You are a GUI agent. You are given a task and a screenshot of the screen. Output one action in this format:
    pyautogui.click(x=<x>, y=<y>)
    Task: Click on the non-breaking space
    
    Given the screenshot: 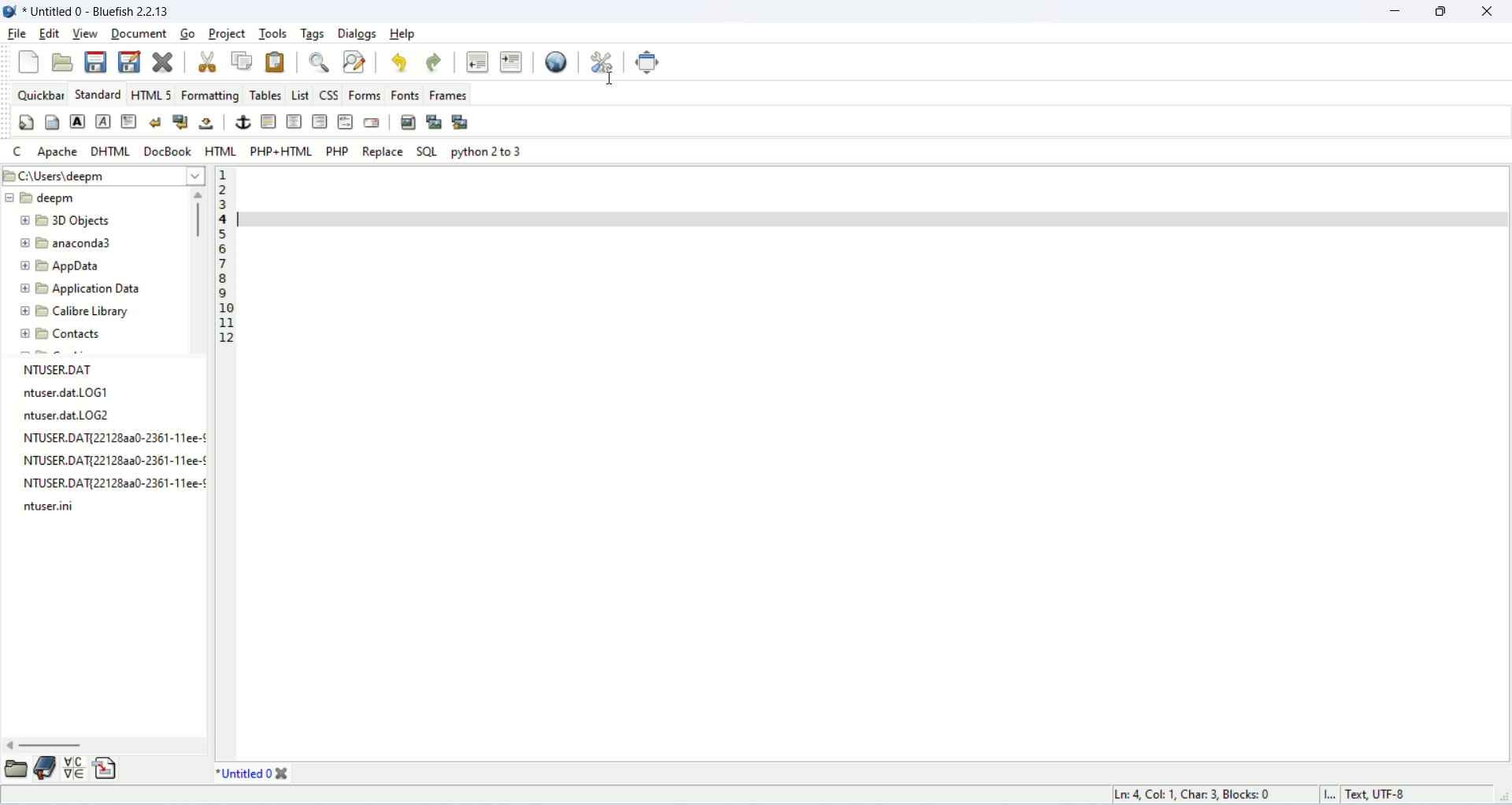 What is the action you would take?
    pyautogui.click(x=207, y=125)
    